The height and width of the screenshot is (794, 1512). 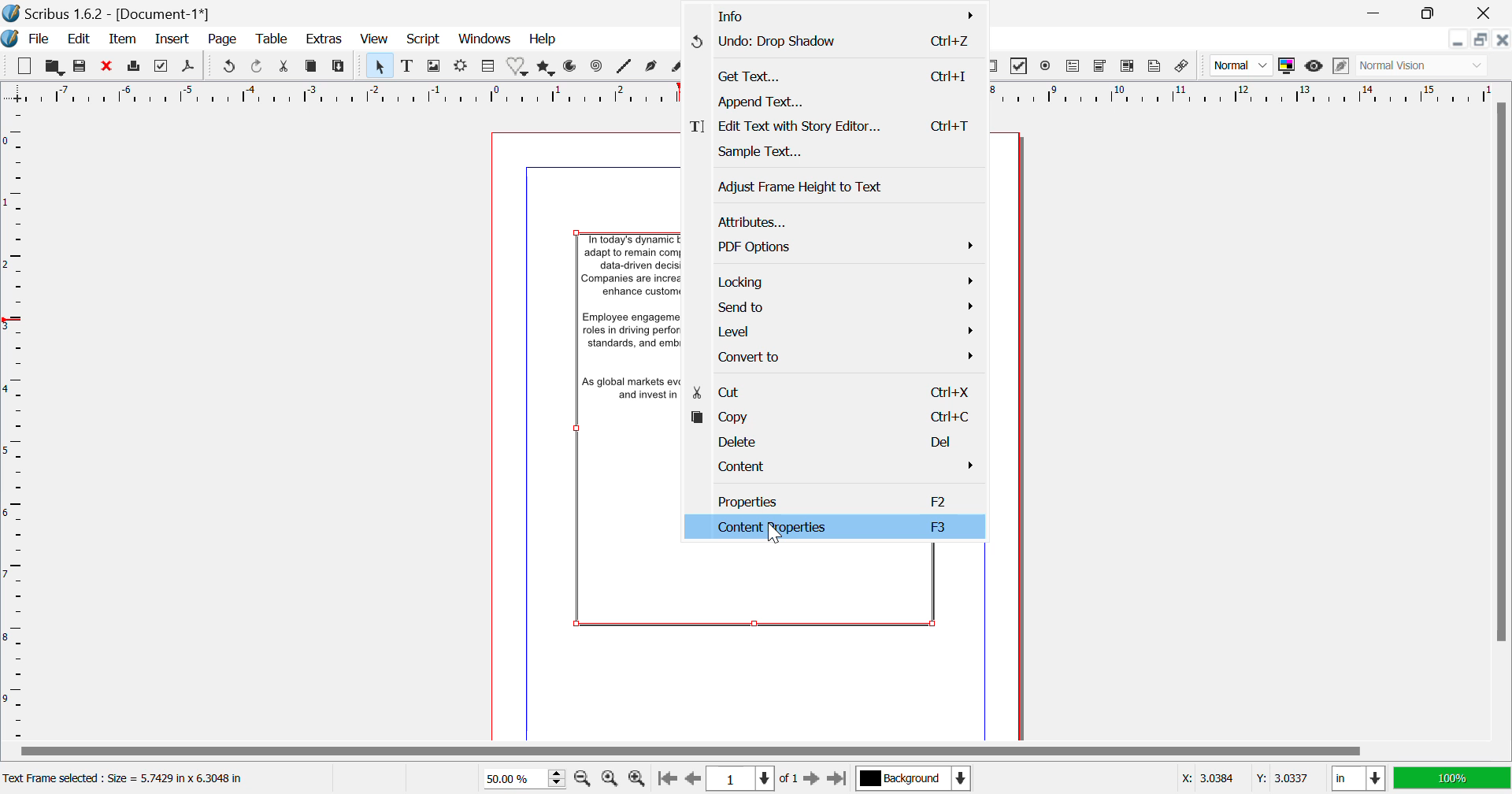 What do you see at coordinates (128, 780) in the screenshot?
I see `Text Frame selected : Size = 5.7425 in x 6.3048 in` at bounding box center [128, 780].